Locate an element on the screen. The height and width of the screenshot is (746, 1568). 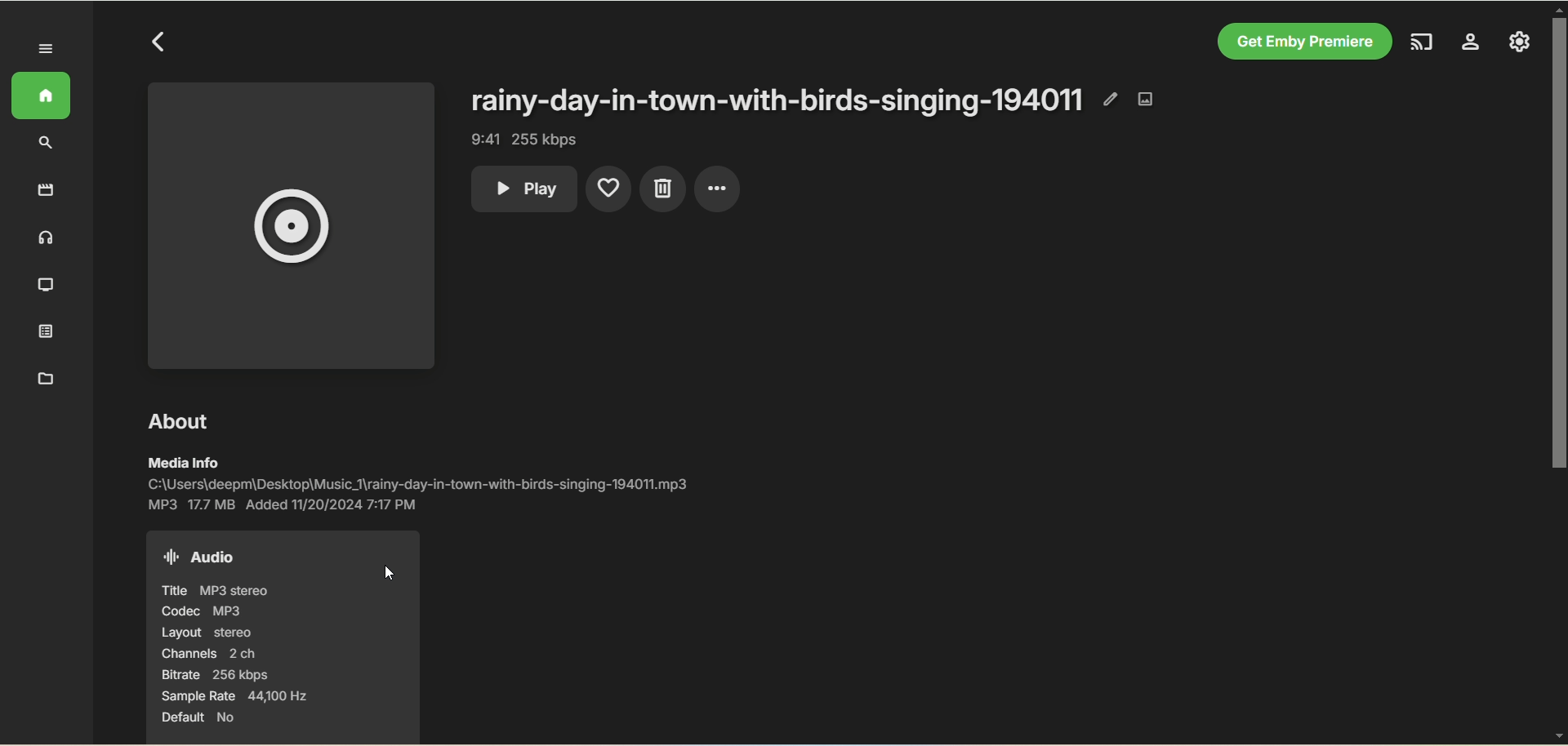
expand is located at coordinates (47, 49).